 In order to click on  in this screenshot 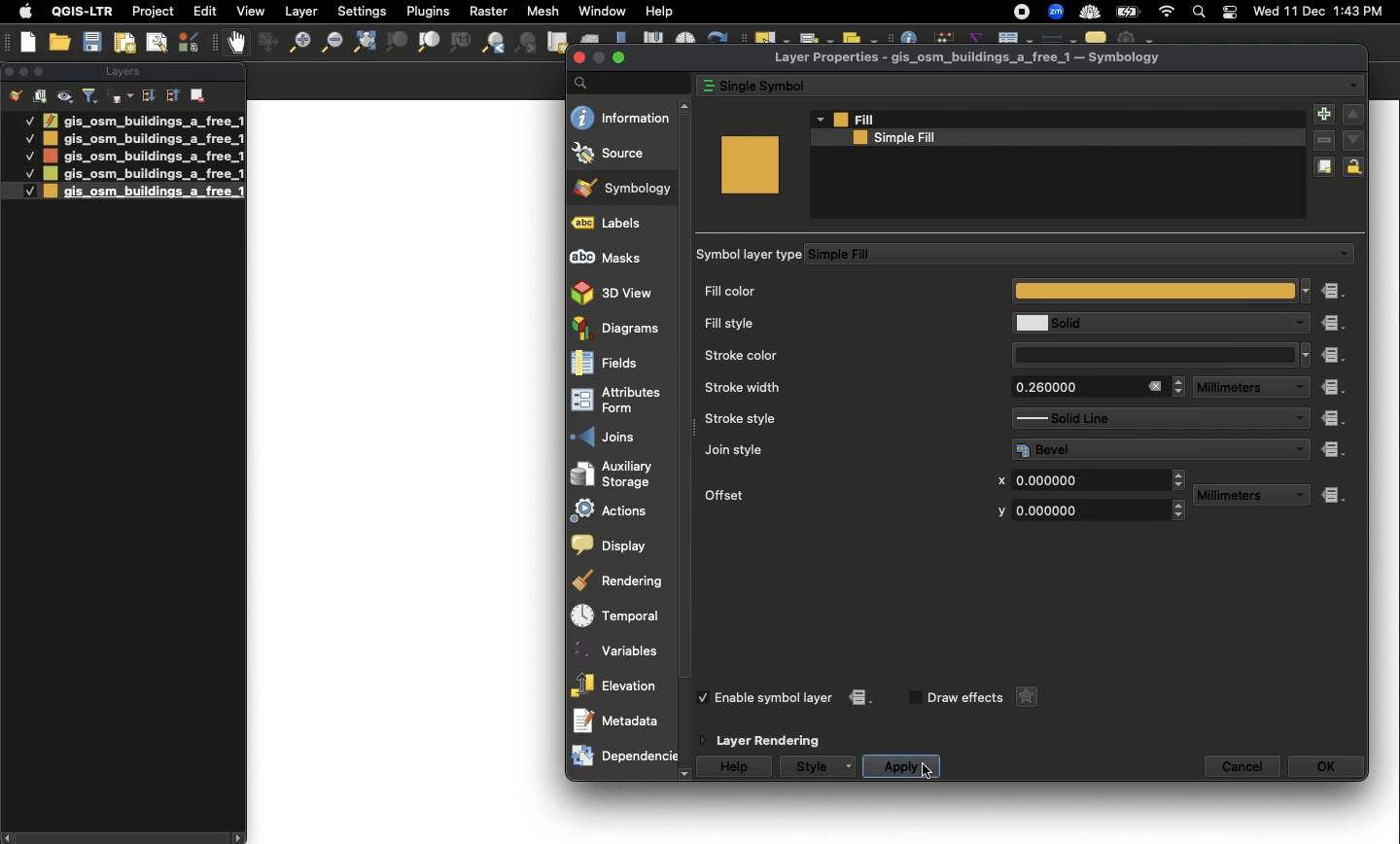, I will do `click(1335, 494)`.